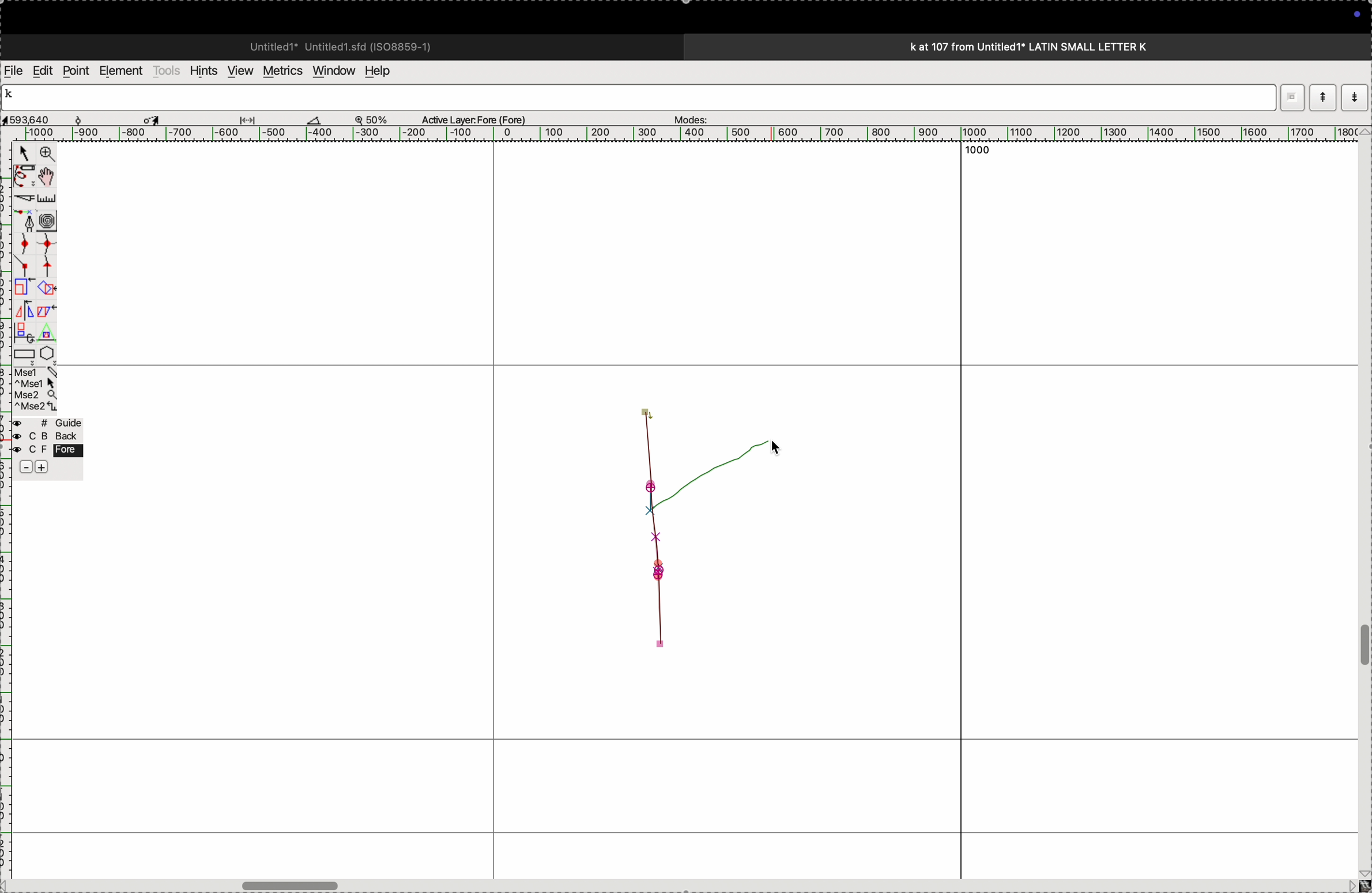  Describe the element at coordinates (770, 449) in the screenshot. I see `cursor` at that location.